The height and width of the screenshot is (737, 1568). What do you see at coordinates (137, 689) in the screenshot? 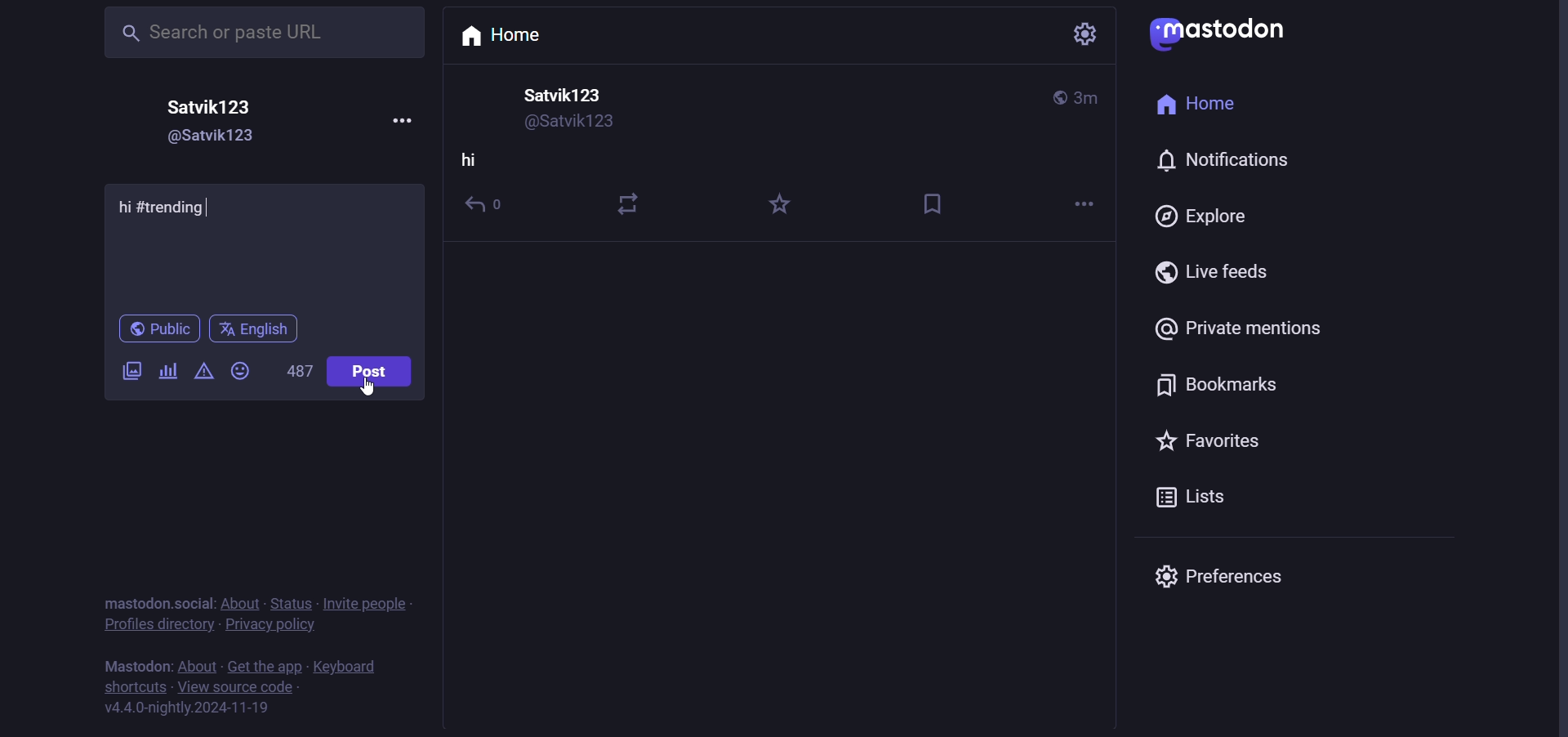
I see `shortcut` at bounding box center [137, 689].